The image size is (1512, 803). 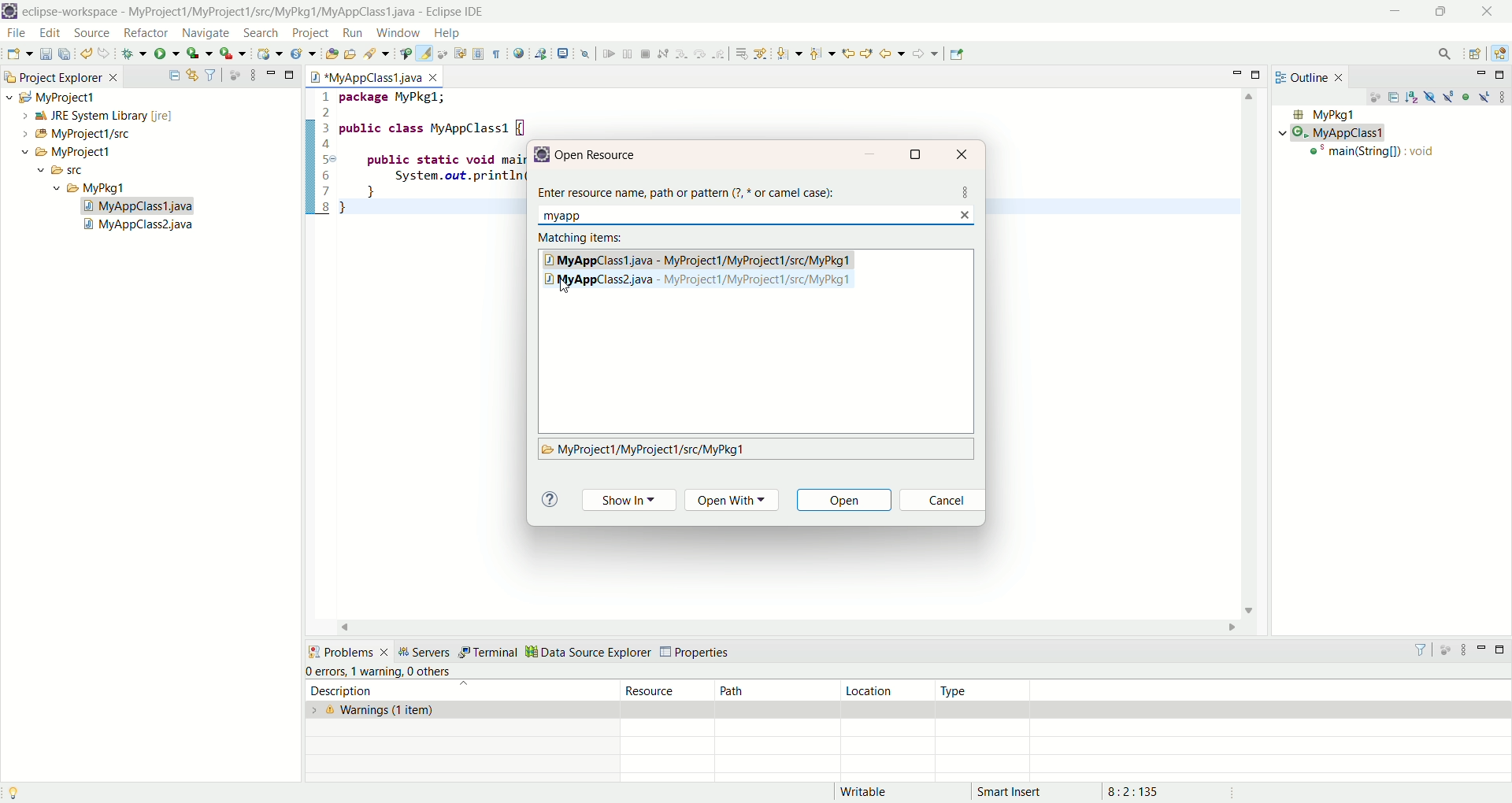 I want to click on disconnect, so click(x=662, y=54).